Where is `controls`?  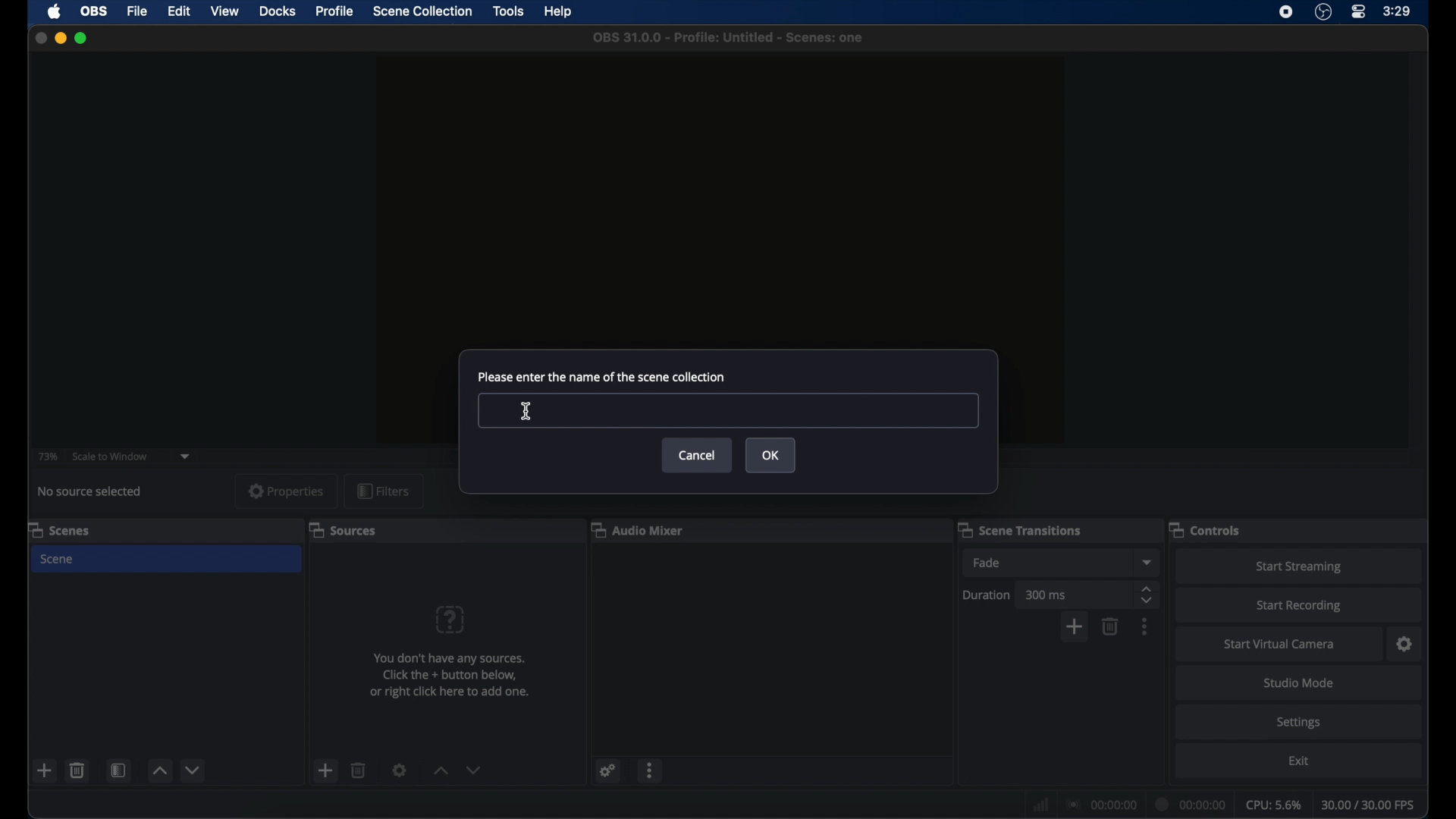 controls is located at coordinates (1206, 529).